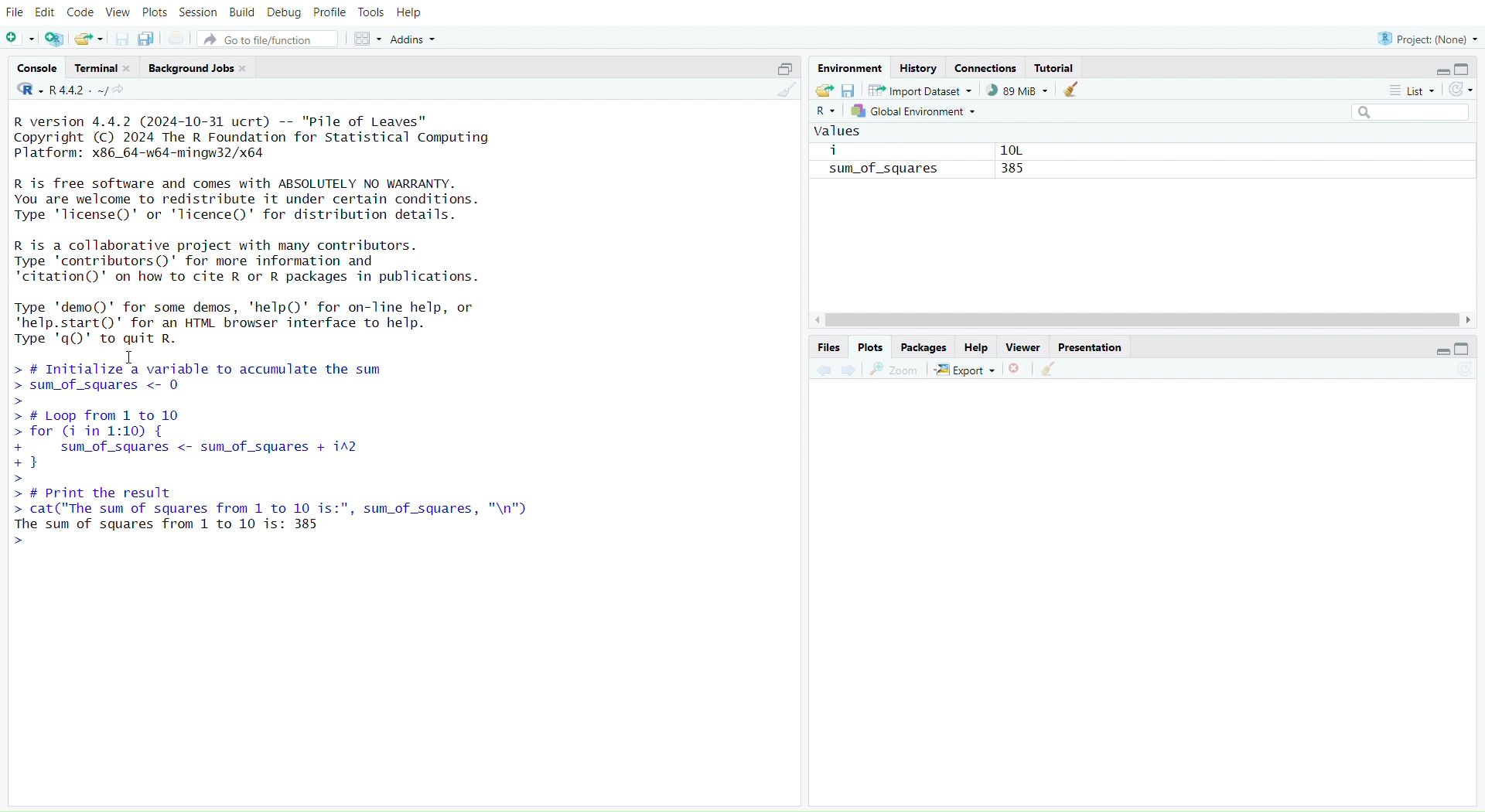 The height and width of the screenshot is (812, 1485). What do you see at coordinates (873, 346) in the screenshot?
I see `plots` at bounding box center [873, 346].